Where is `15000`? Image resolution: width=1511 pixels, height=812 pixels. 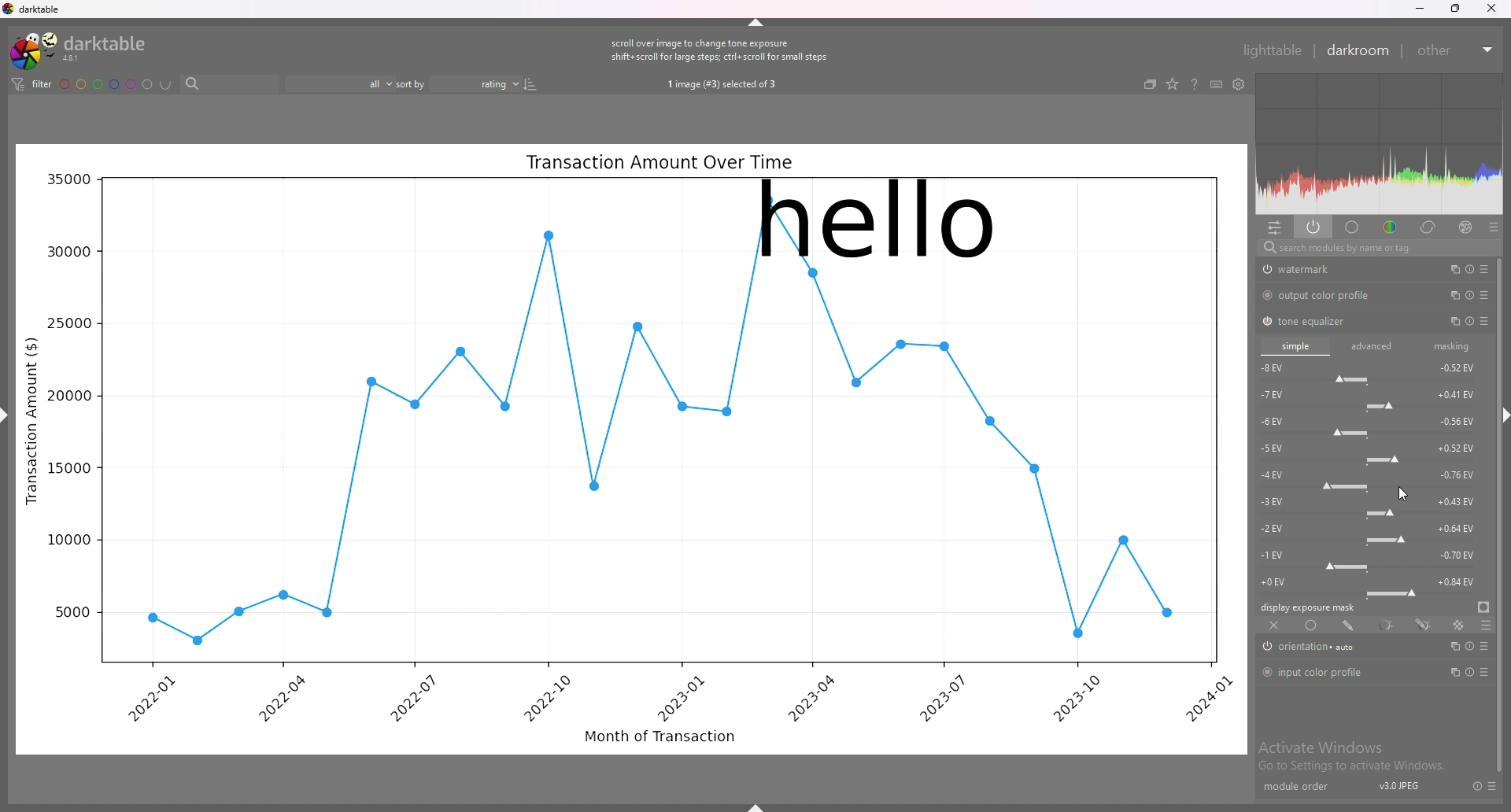
15000 is located at coordinates (68, 469).